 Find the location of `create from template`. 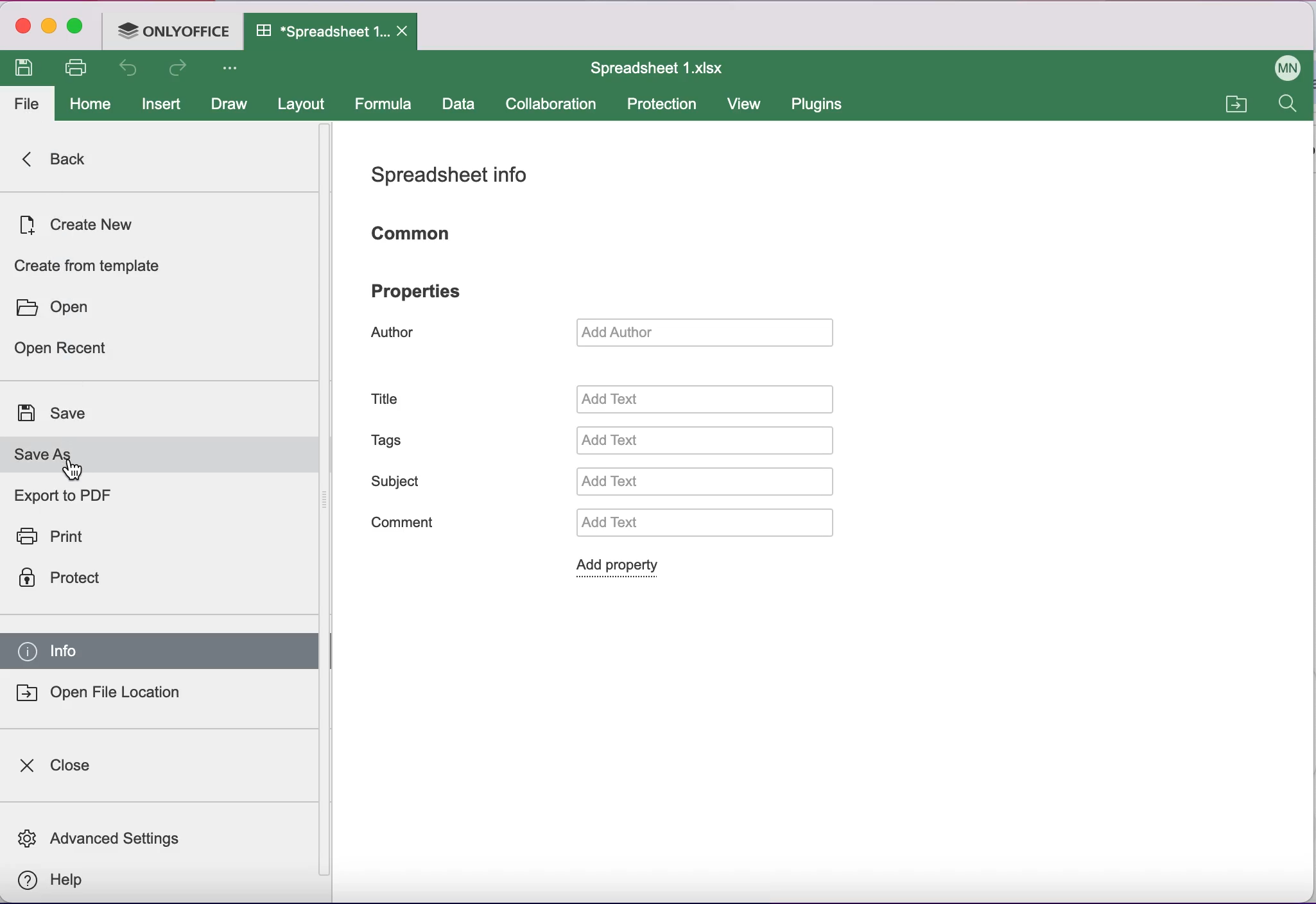

create from template is located at coordinates (93, 265).